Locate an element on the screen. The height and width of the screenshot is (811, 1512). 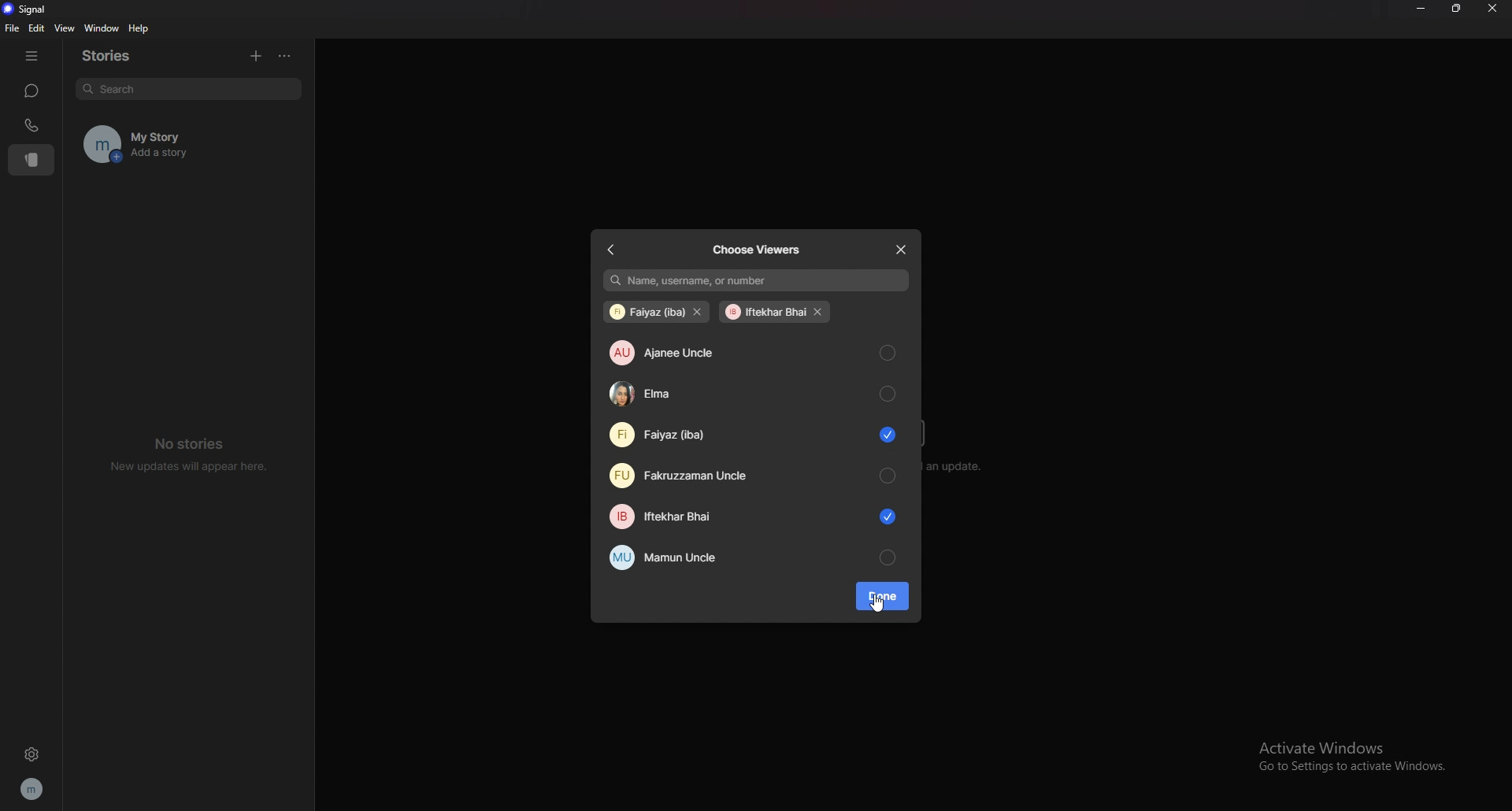
edit is located at coordinates (36, 28).